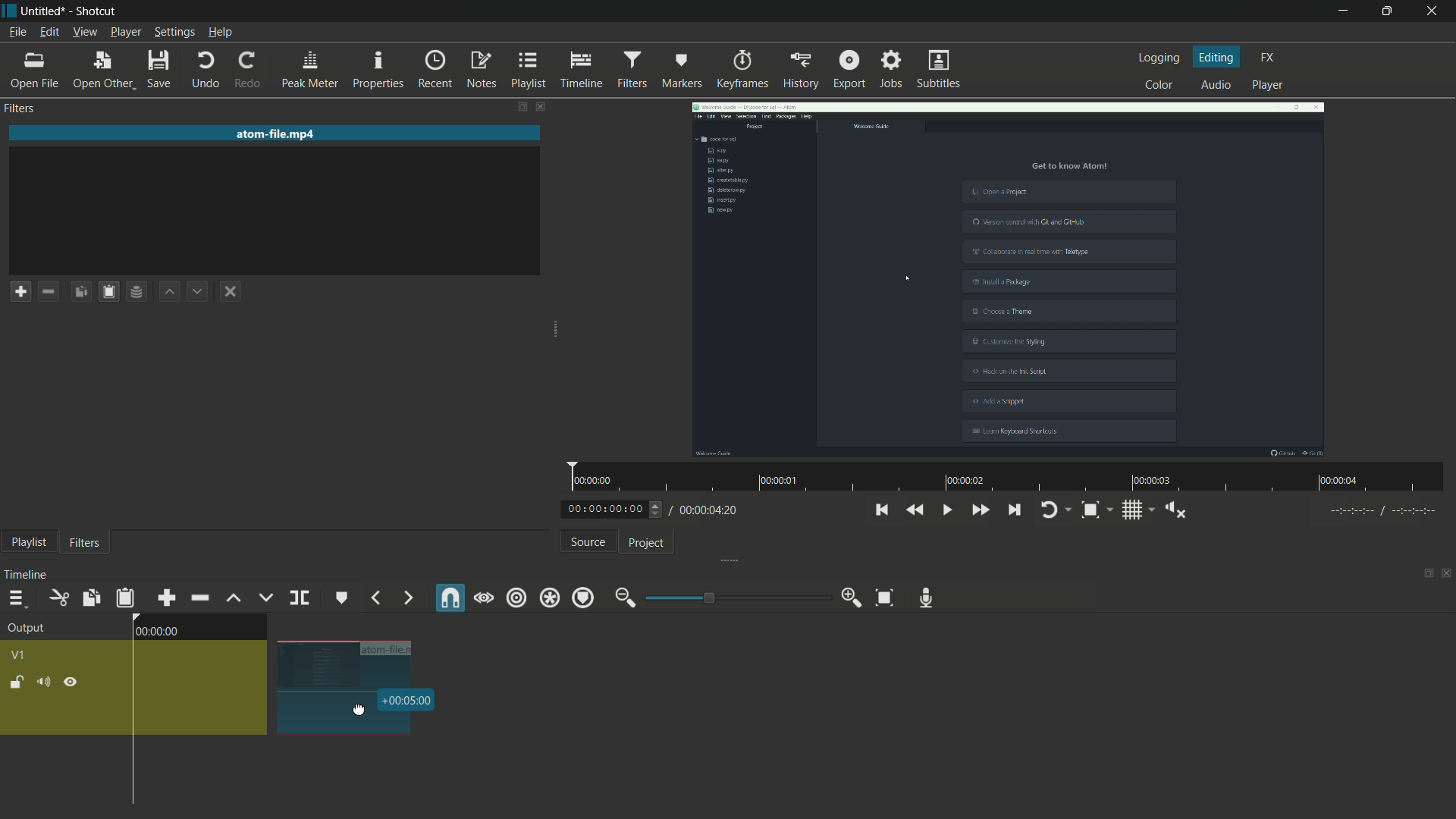 The image size is (1456, 819). I want to click on ripple all track, so click(551, 597).